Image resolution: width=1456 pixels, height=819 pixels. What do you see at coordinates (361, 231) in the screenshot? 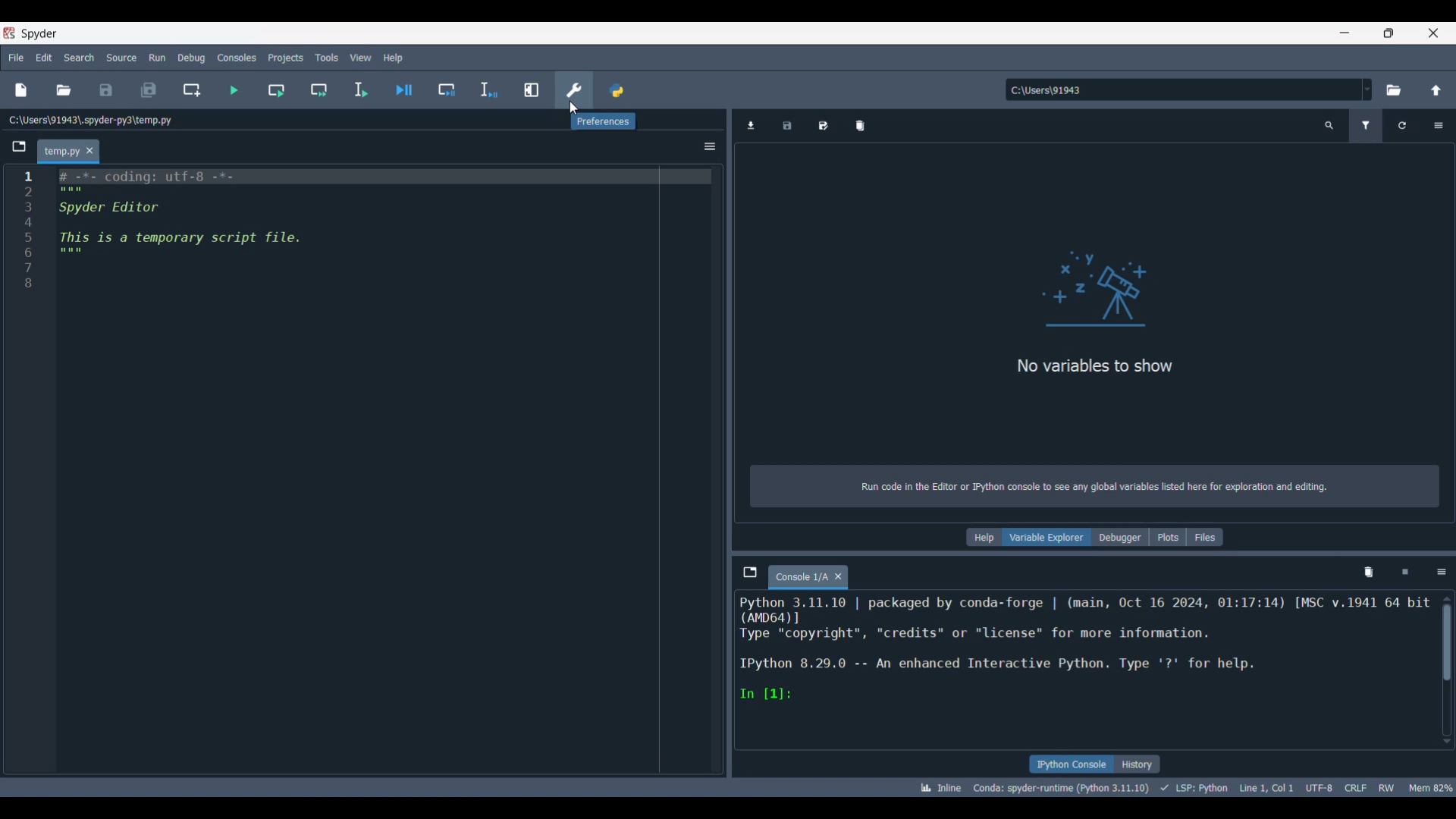
I see `Current code` at bounding box center [361, 231].